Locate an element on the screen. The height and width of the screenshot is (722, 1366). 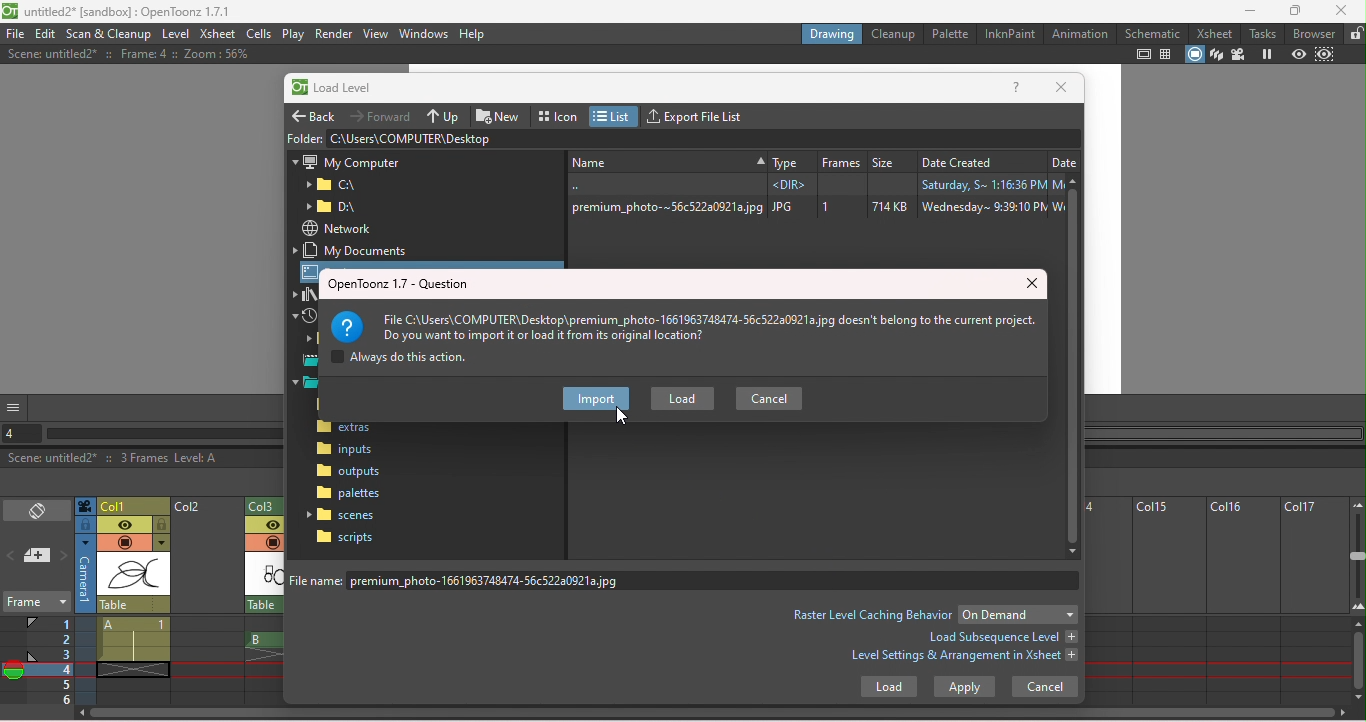
Close is located at coordinates (1341, 10).